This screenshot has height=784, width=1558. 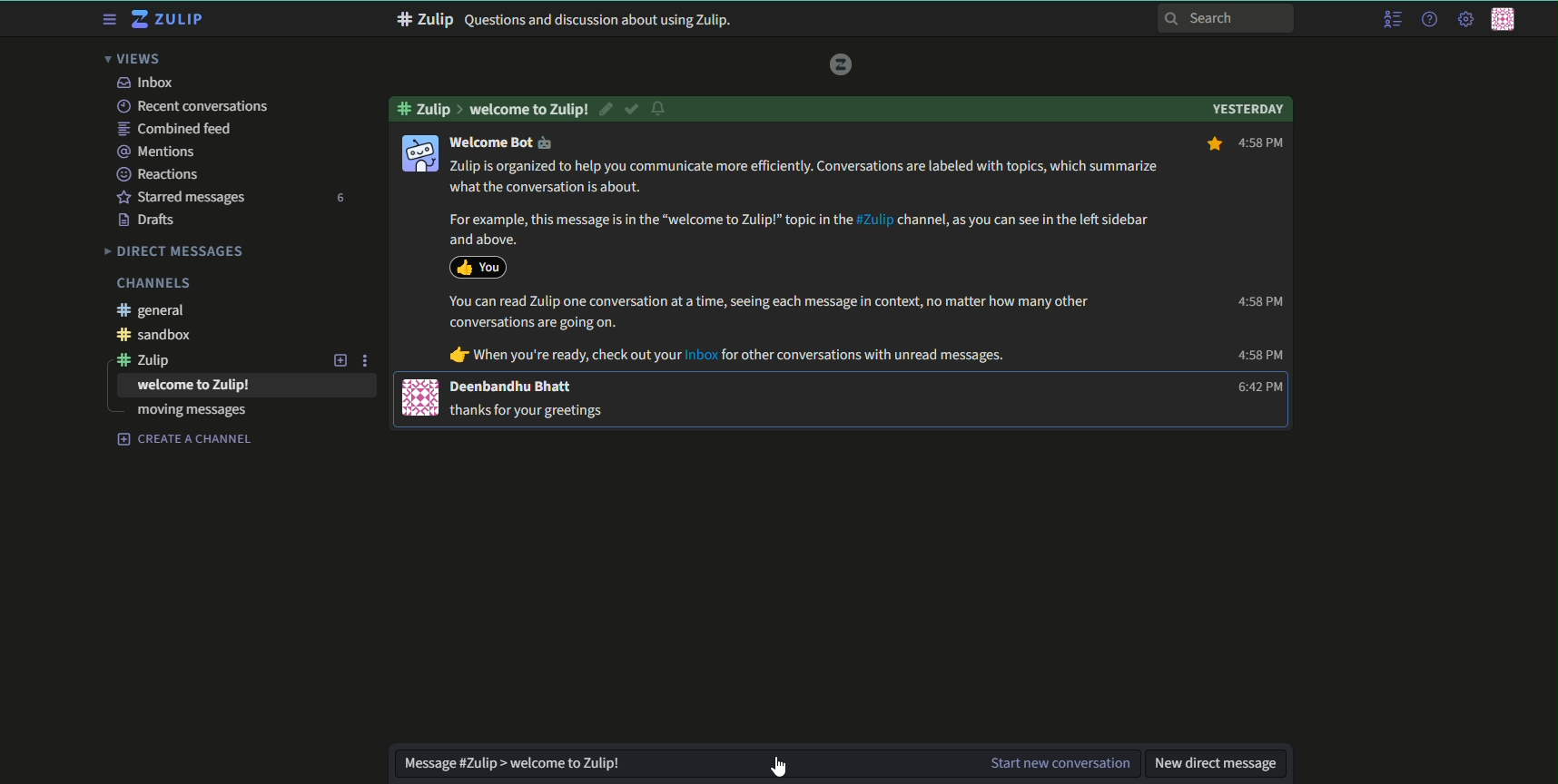 I want to click on number, so click(x=339, y=198).